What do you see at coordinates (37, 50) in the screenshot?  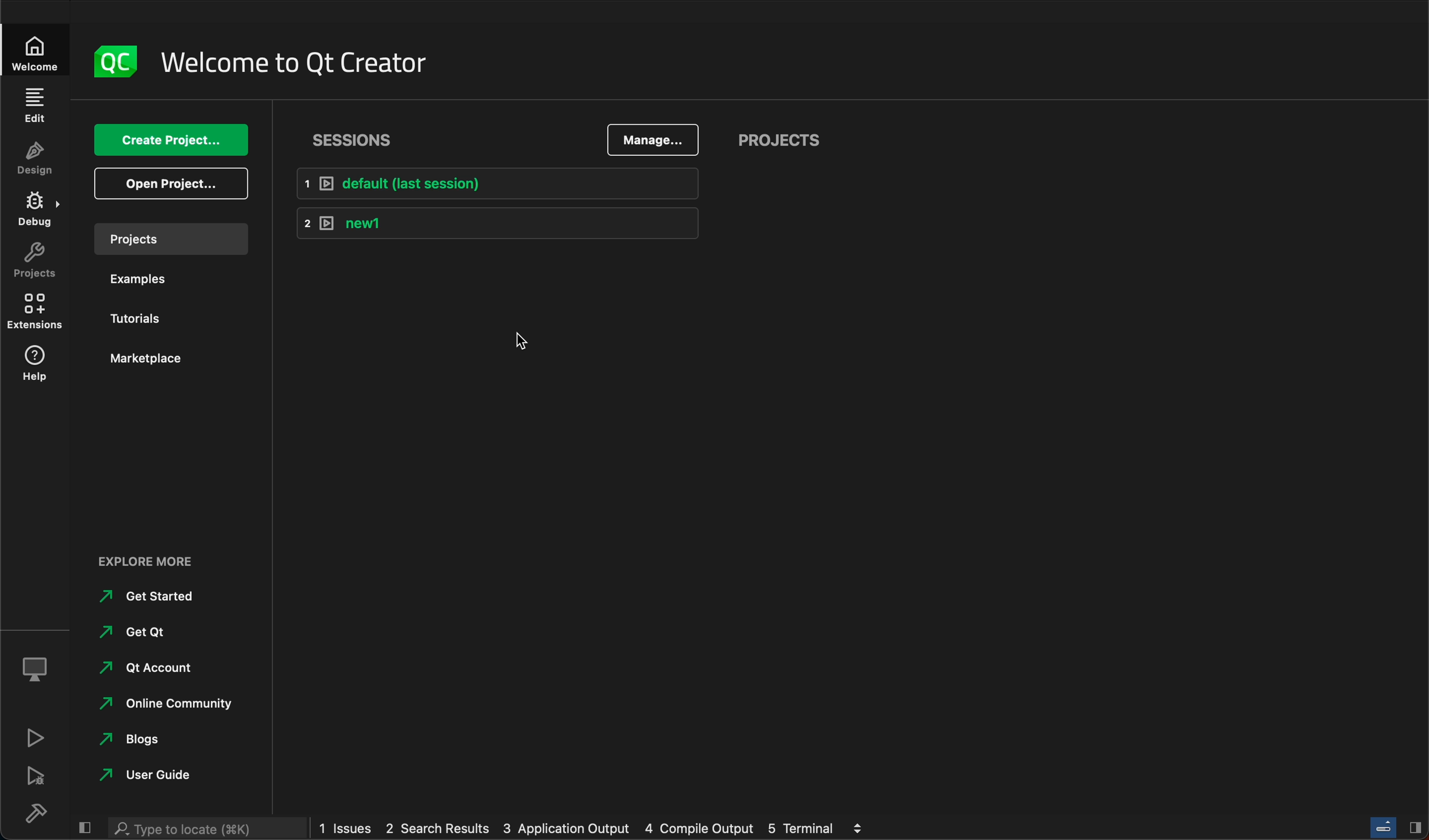 I see `Welcome` at bounding box center [37, 50].